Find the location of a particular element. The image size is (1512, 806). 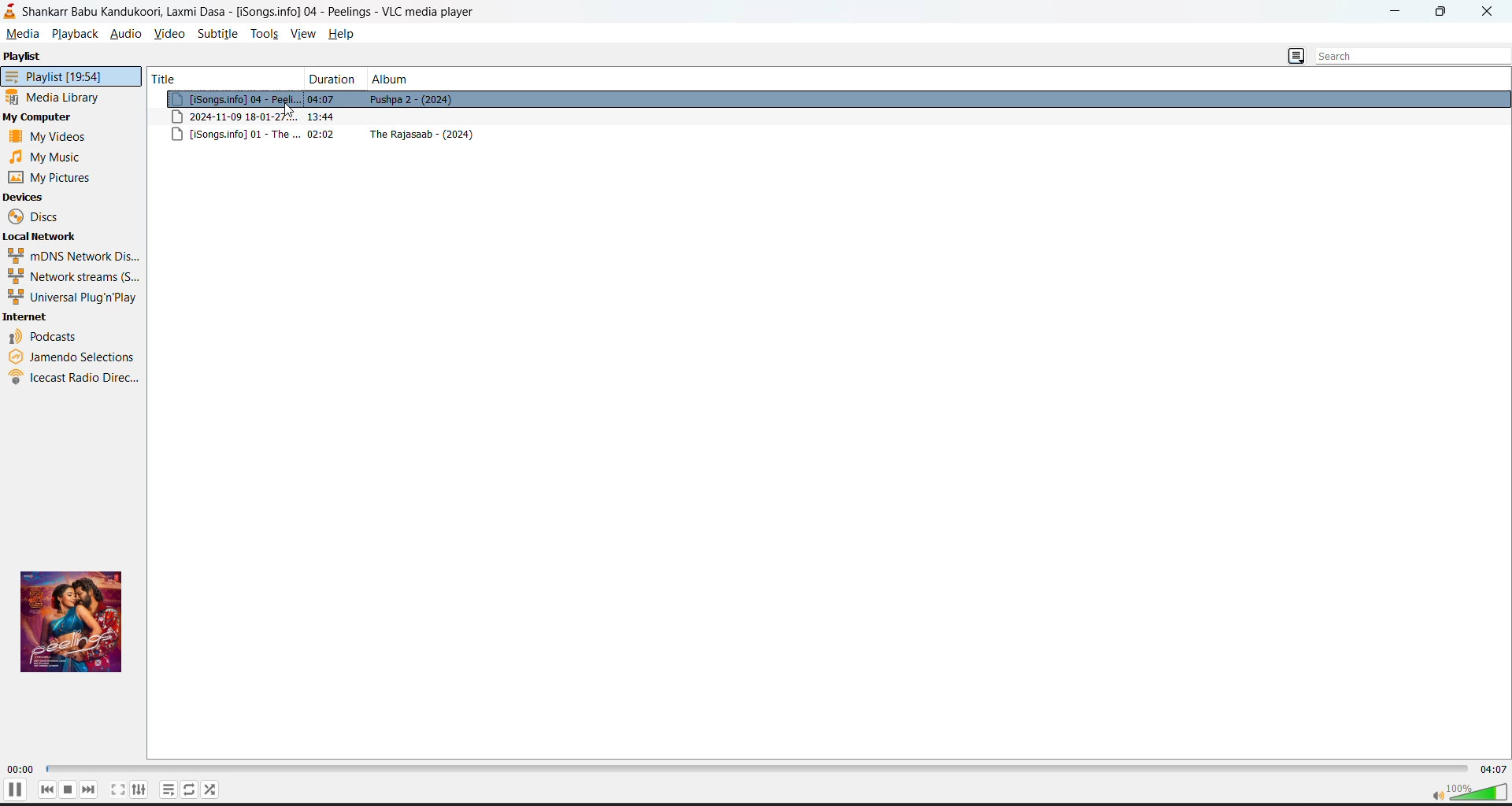

subtitle is located at coordinates (217, 33).